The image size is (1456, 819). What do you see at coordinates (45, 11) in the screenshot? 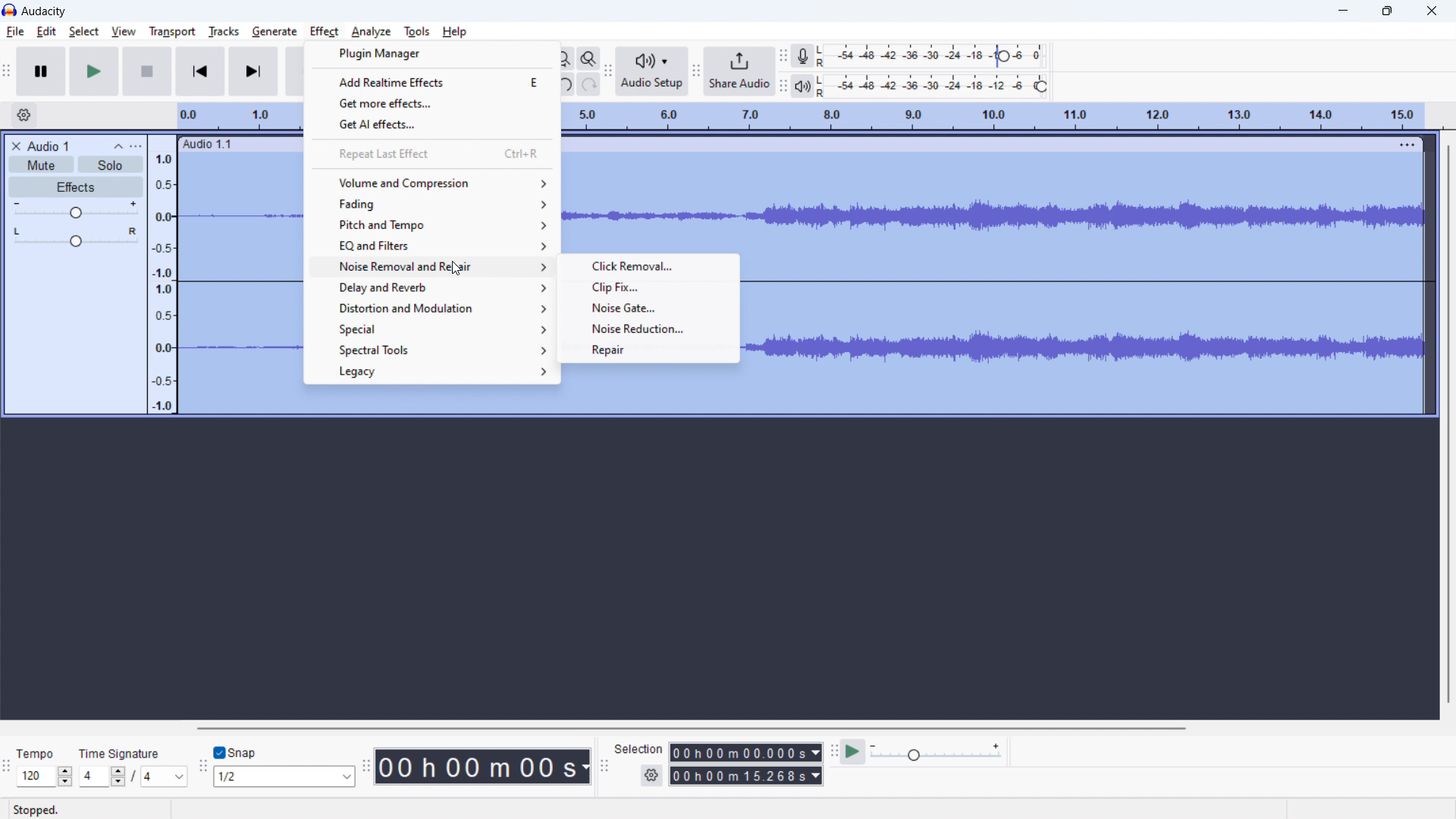
I see `title` at bounding box center [45, 11].